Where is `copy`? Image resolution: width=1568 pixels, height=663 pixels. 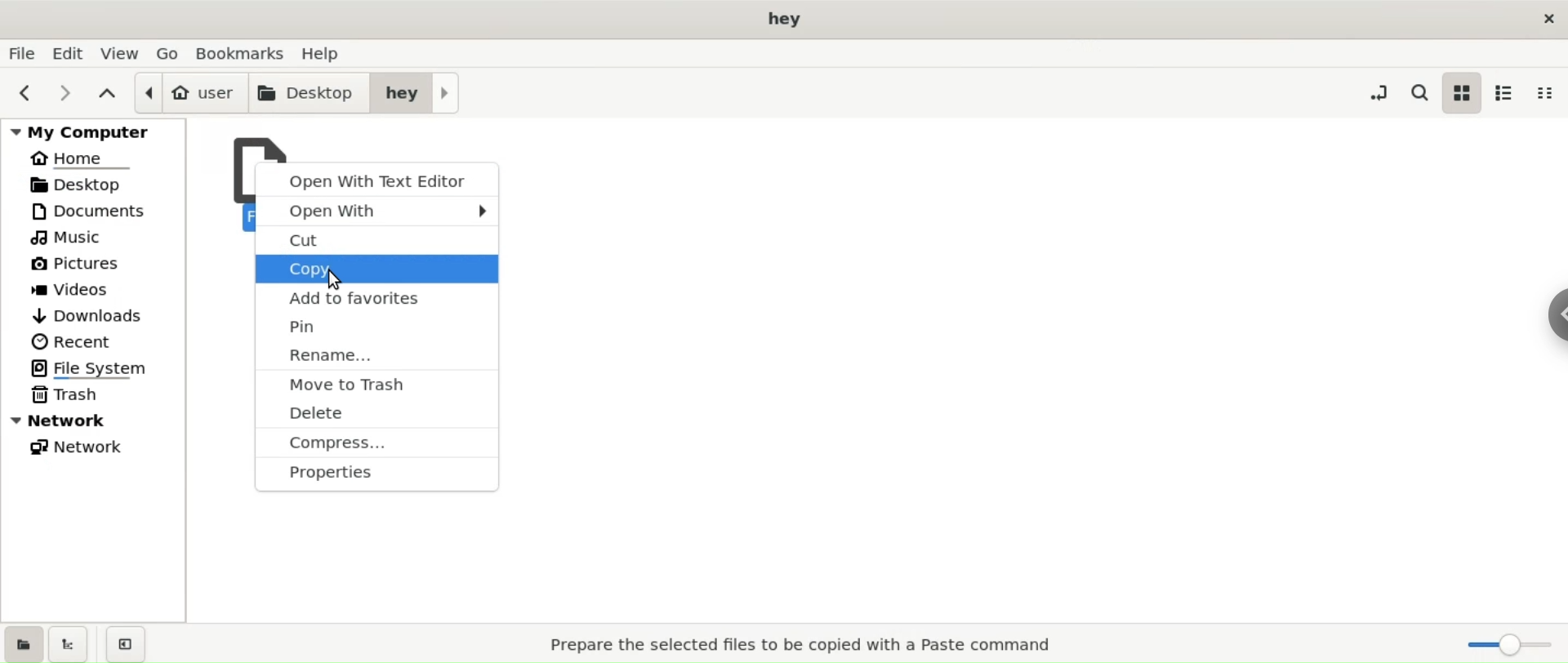
copy is located at coordinates (377, 270).